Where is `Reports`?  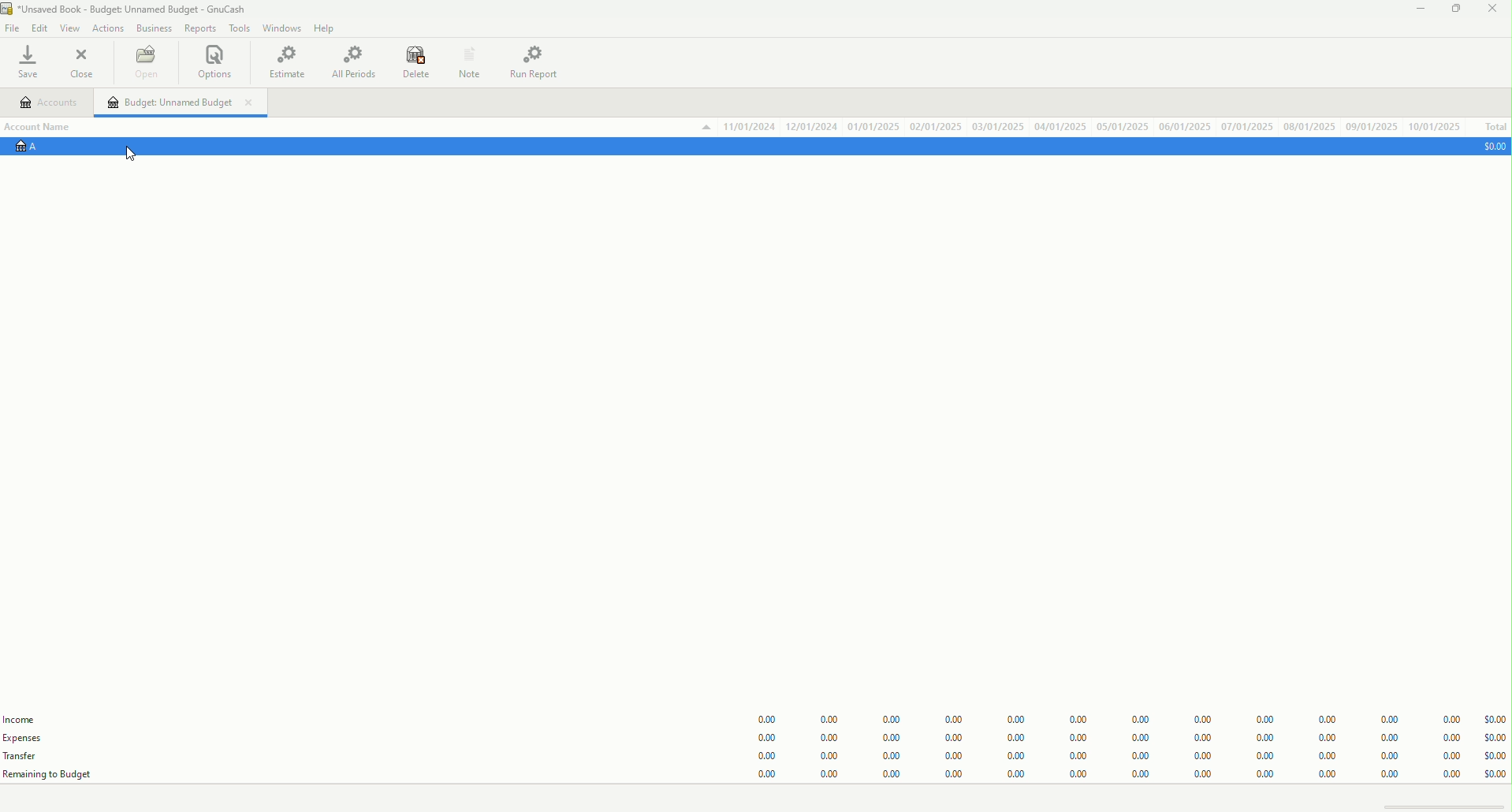 Reports is located at coordinates (202, 28).